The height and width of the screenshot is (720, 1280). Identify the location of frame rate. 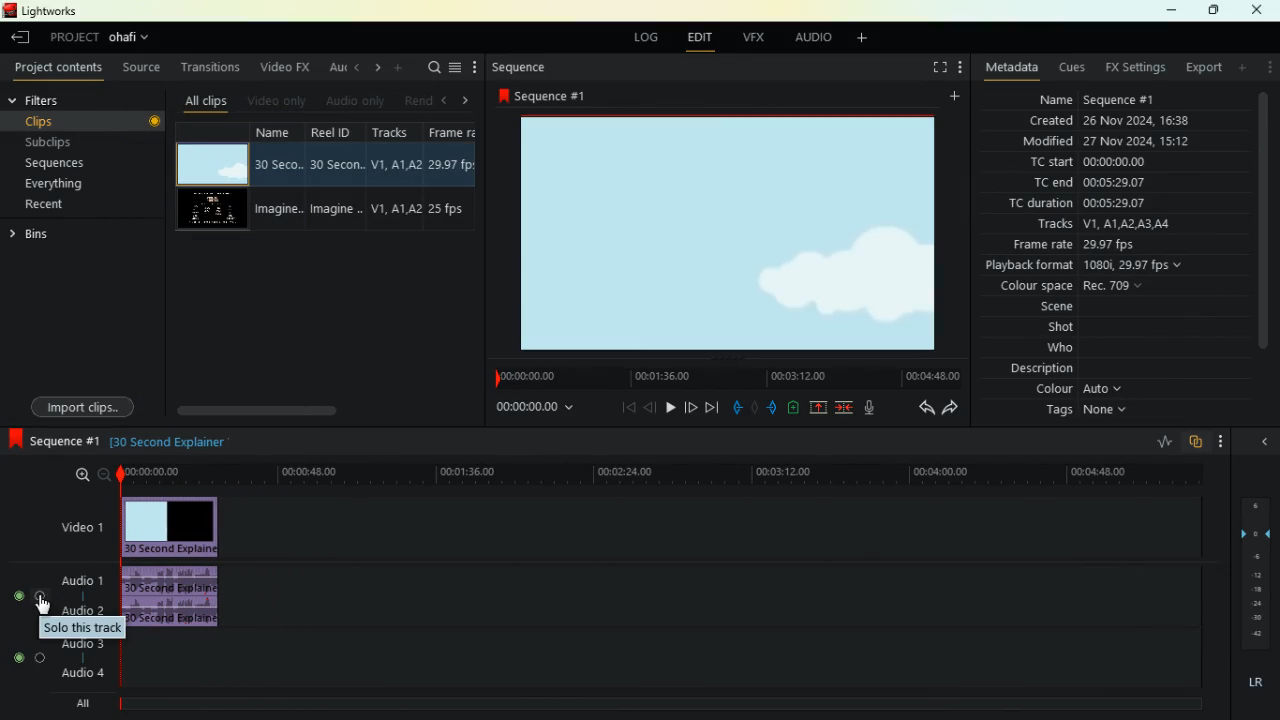
(1106, 246).